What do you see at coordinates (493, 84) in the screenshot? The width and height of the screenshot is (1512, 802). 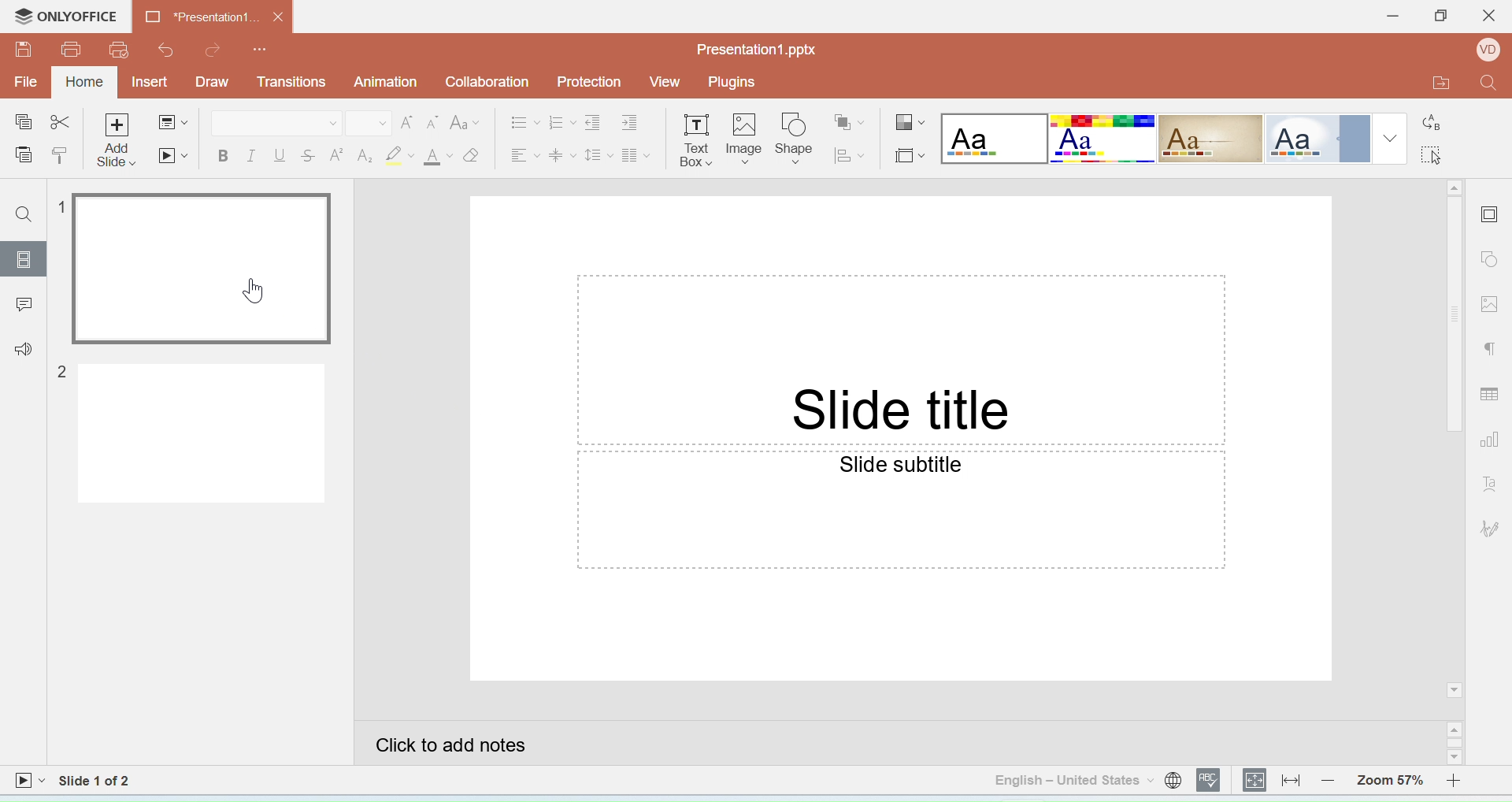 I see `Collaboration` at bounding box center [493, 84].